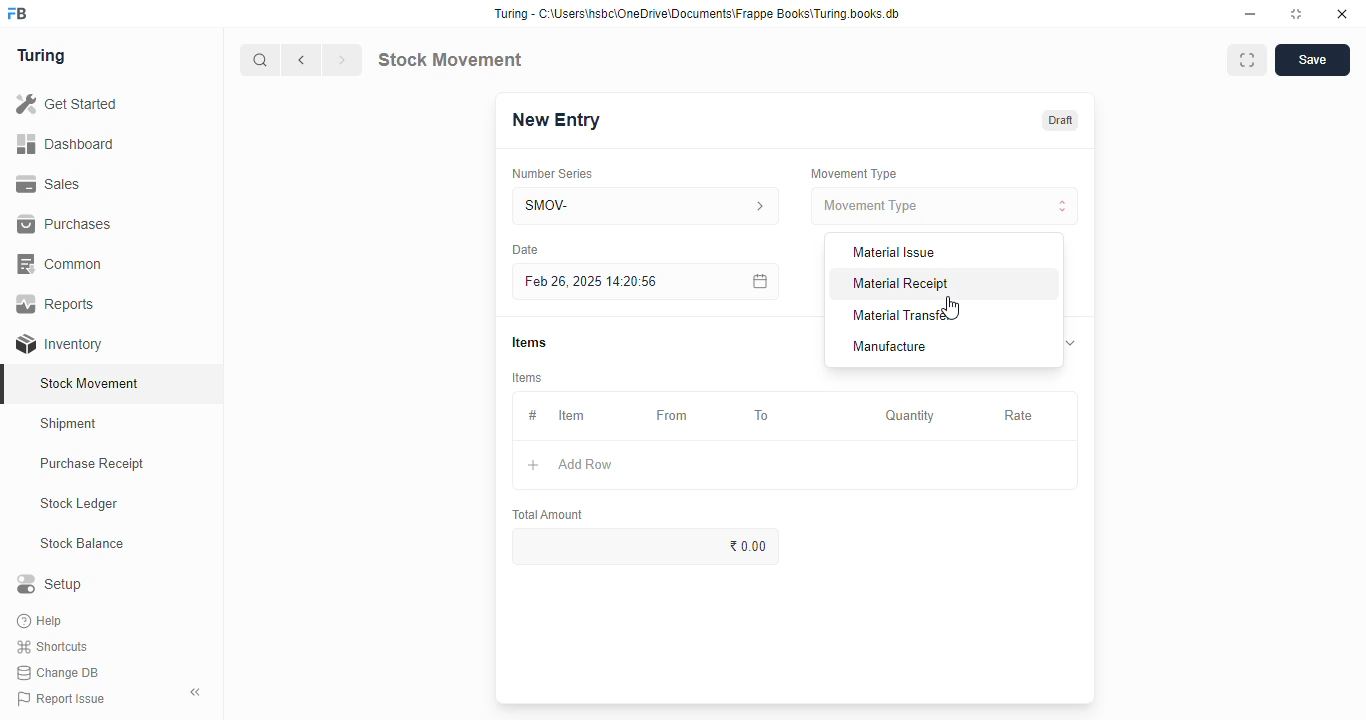  I want to click on movement type, so click(853, 173).